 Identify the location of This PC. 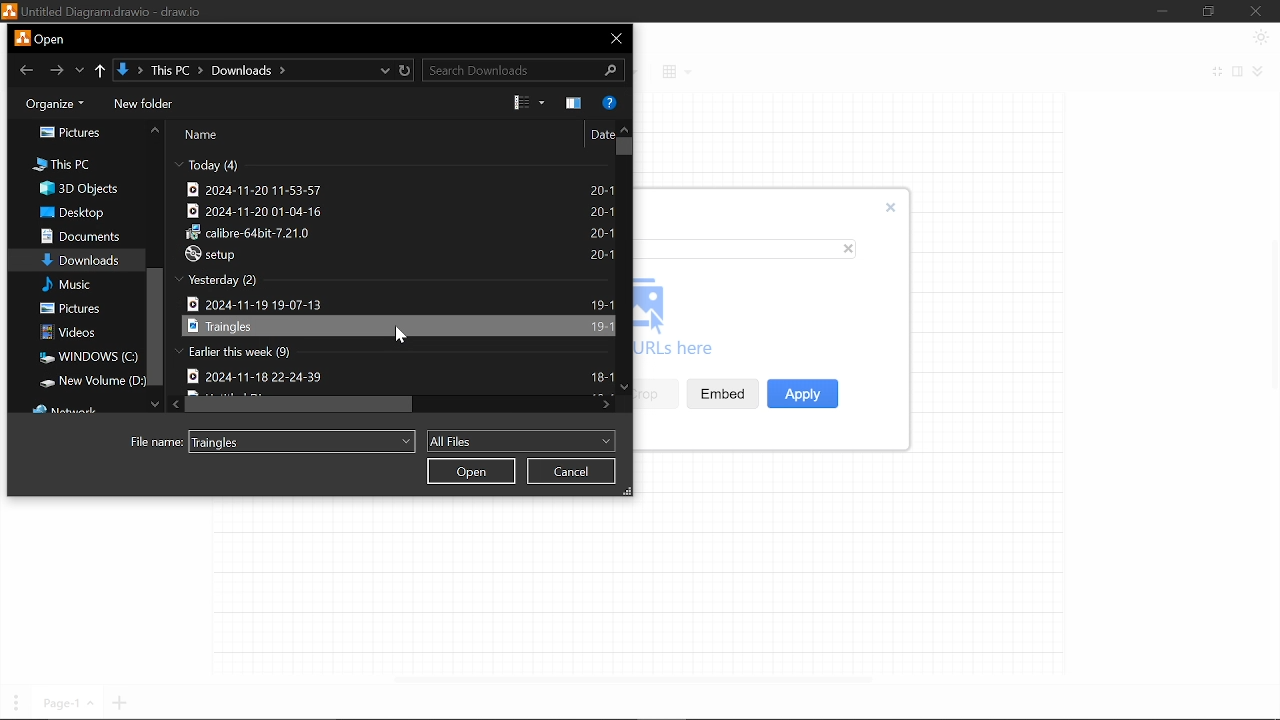
(72, 165).